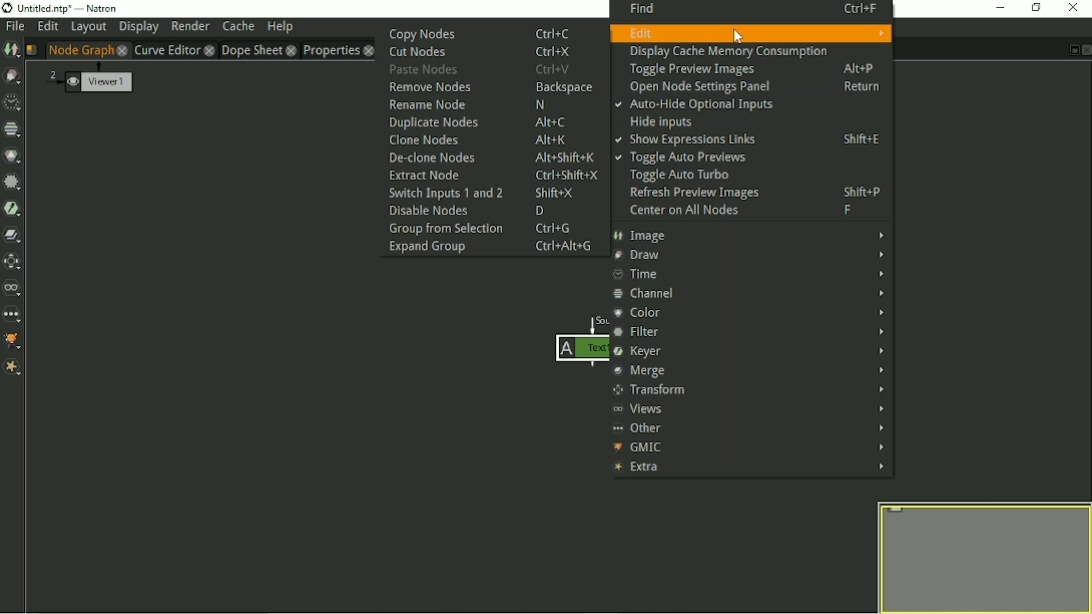  Describe the element at coordinates (14, 288) in the screenshot. I see `Views` at that location.